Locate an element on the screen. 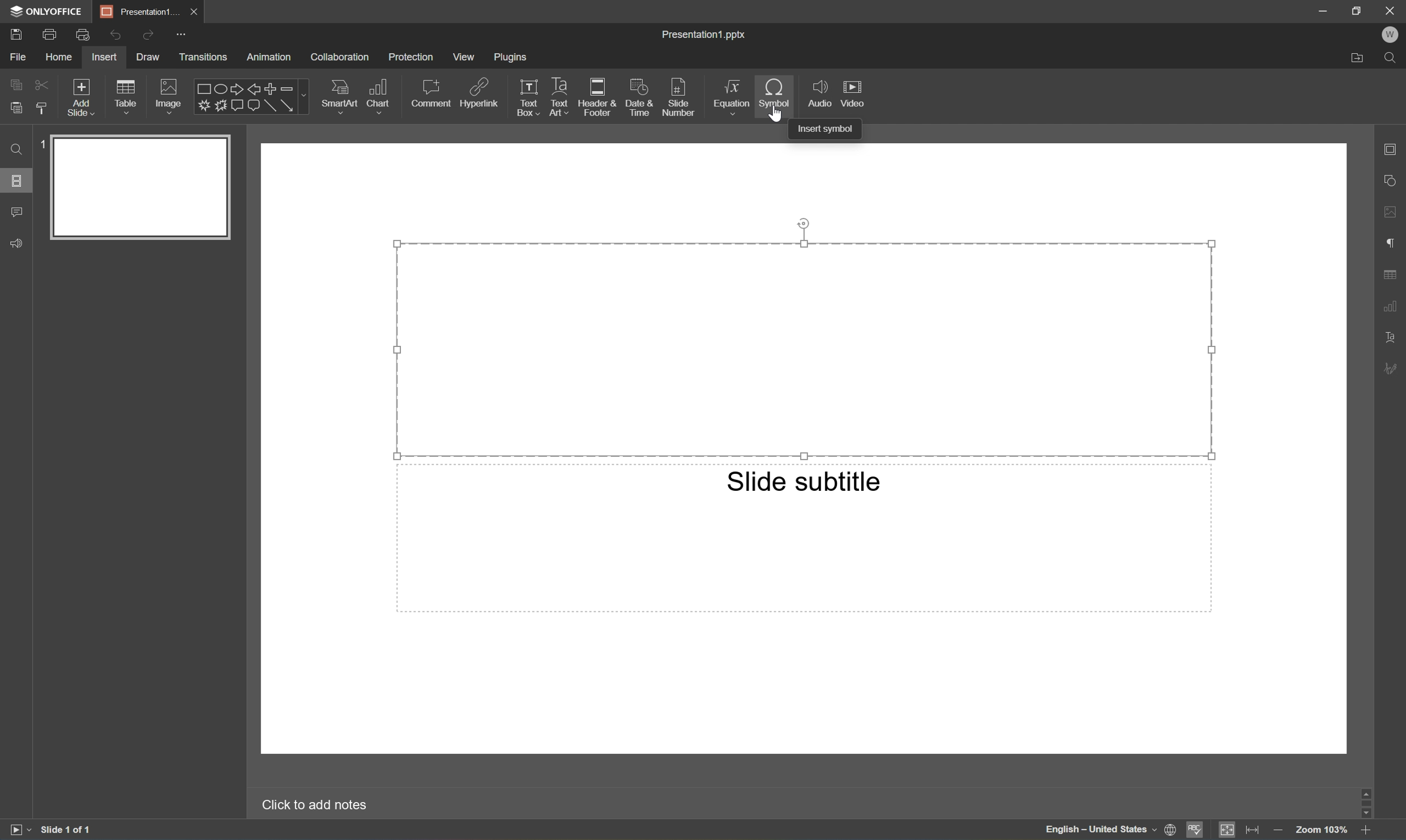 The width and height of the screenshot is (1406, 840). Paste is located at coordinates (16, 106).